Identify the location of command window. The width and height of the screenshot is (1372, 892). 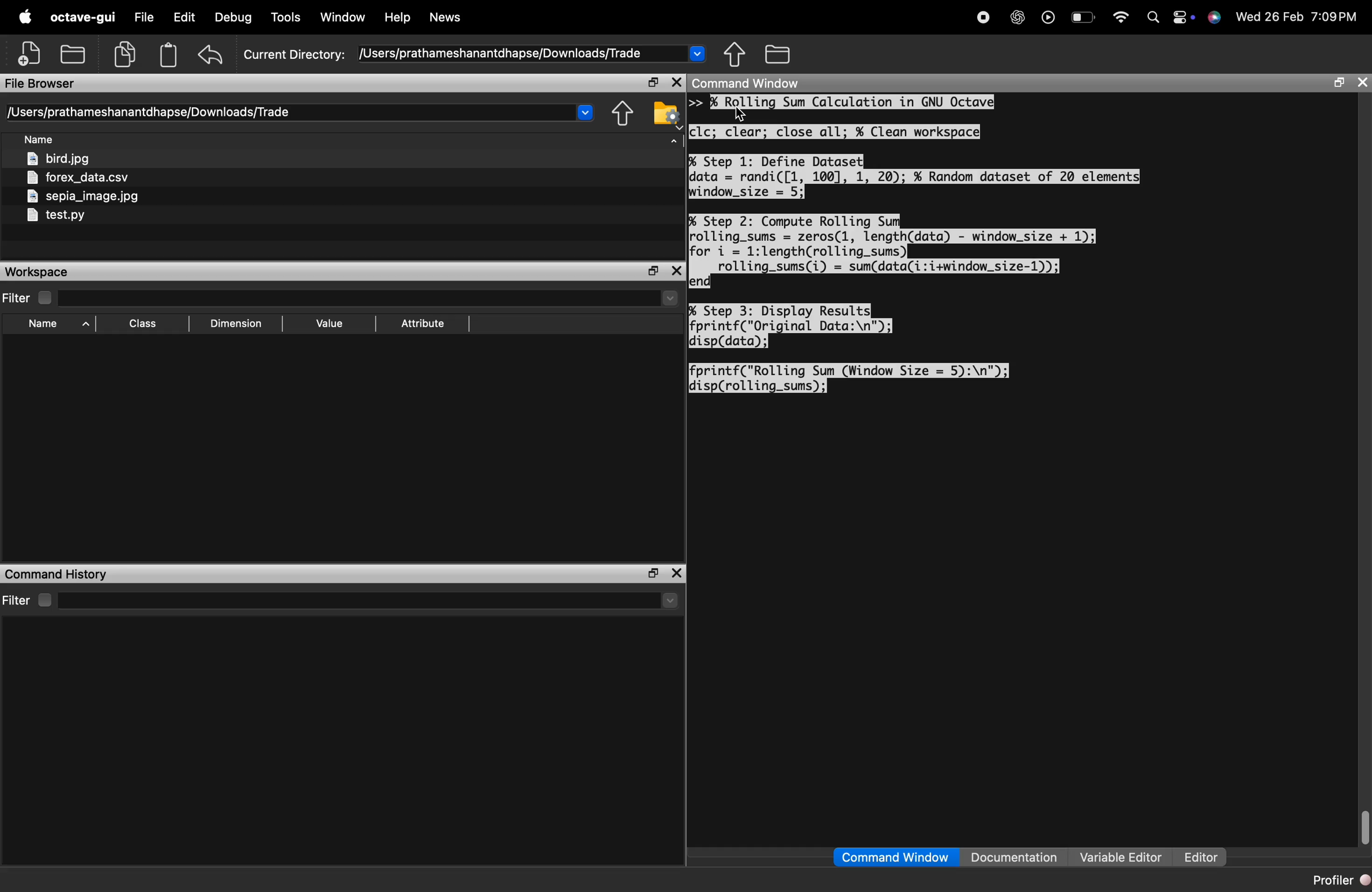
(894, 857).